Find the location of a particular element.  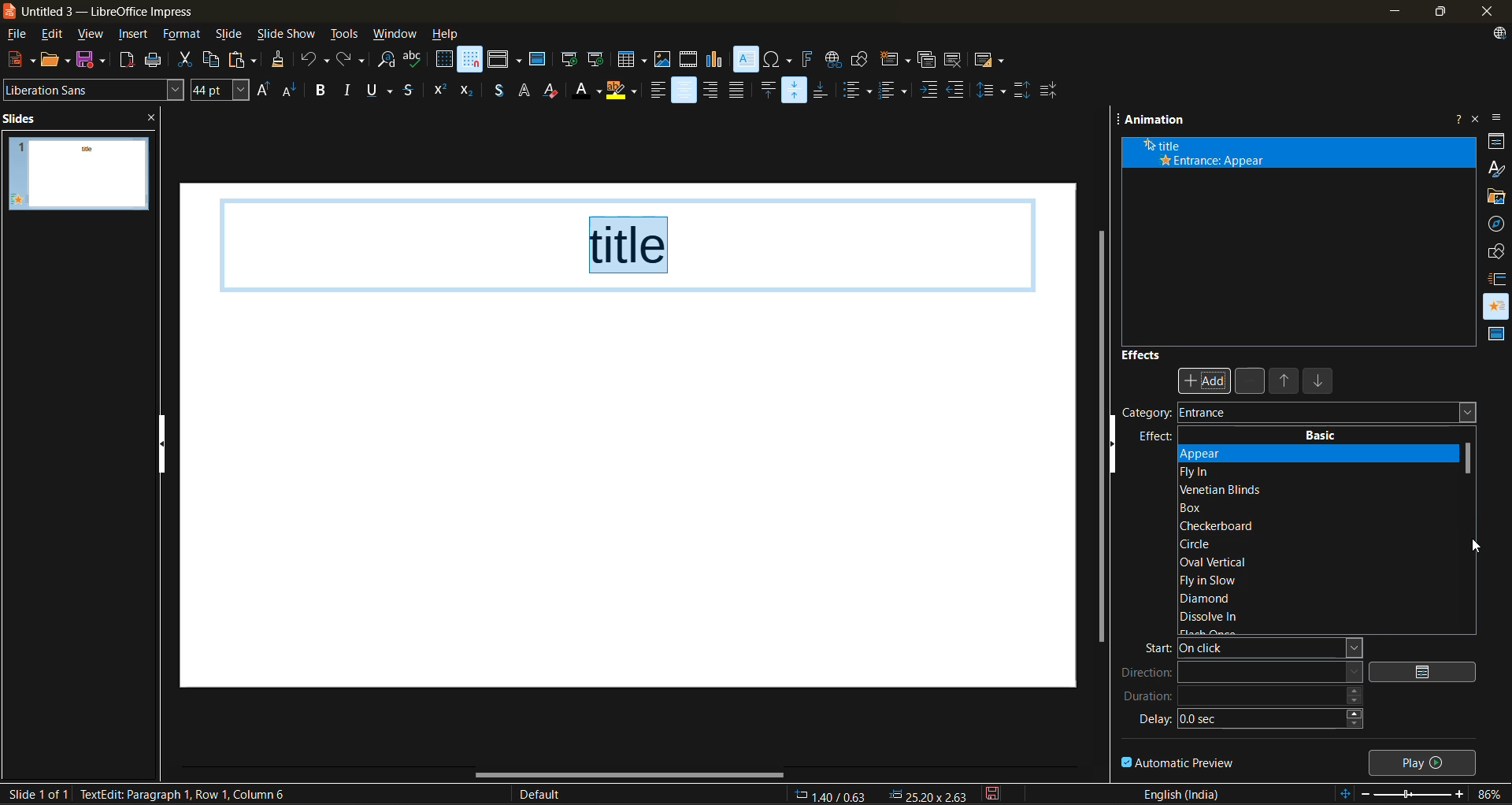

start from current slide is located at coordinates (595, 59).